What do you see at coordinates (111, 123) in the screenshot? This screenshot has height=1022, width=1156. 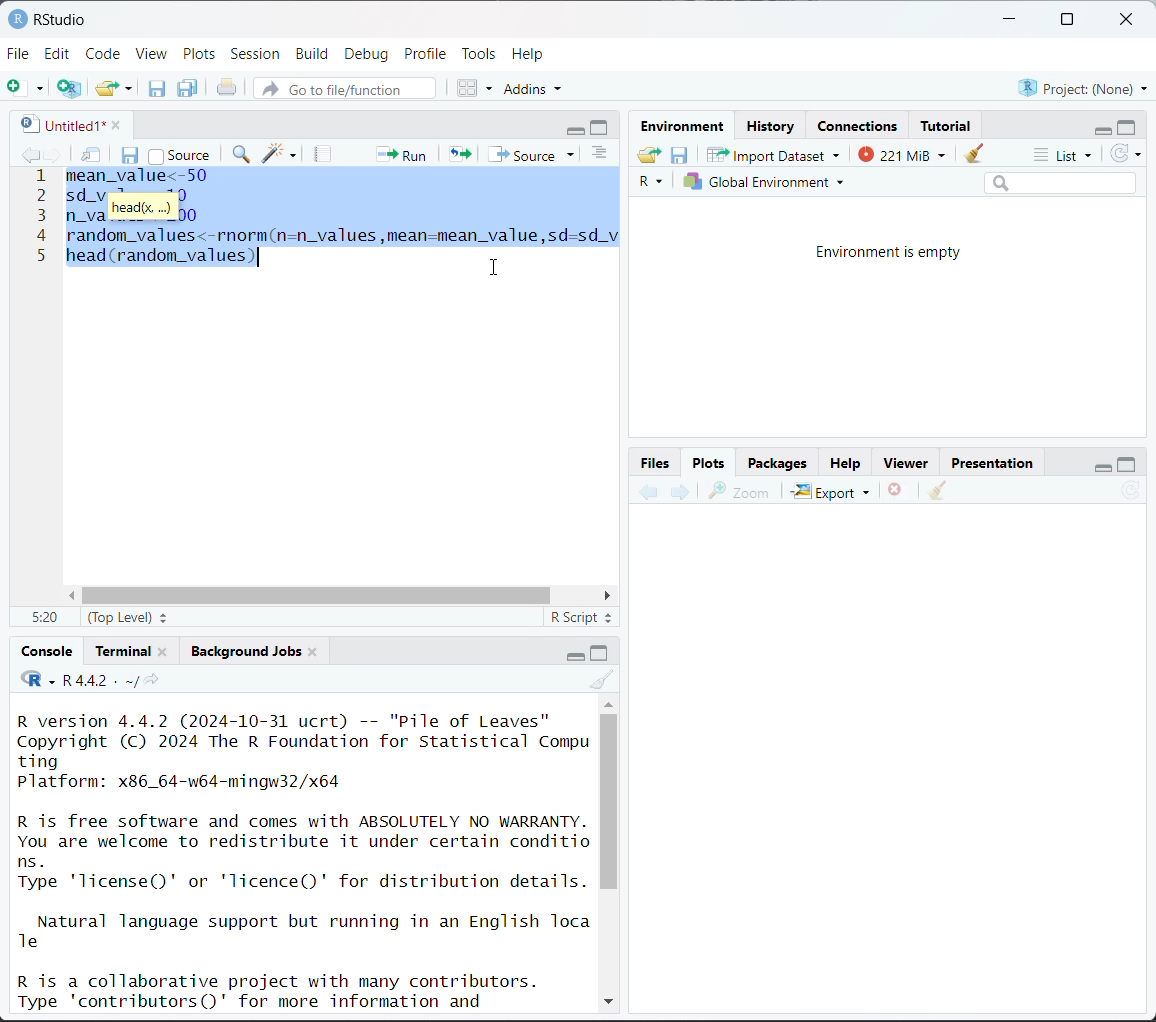 I see `close` at bounding box center [111, 123].